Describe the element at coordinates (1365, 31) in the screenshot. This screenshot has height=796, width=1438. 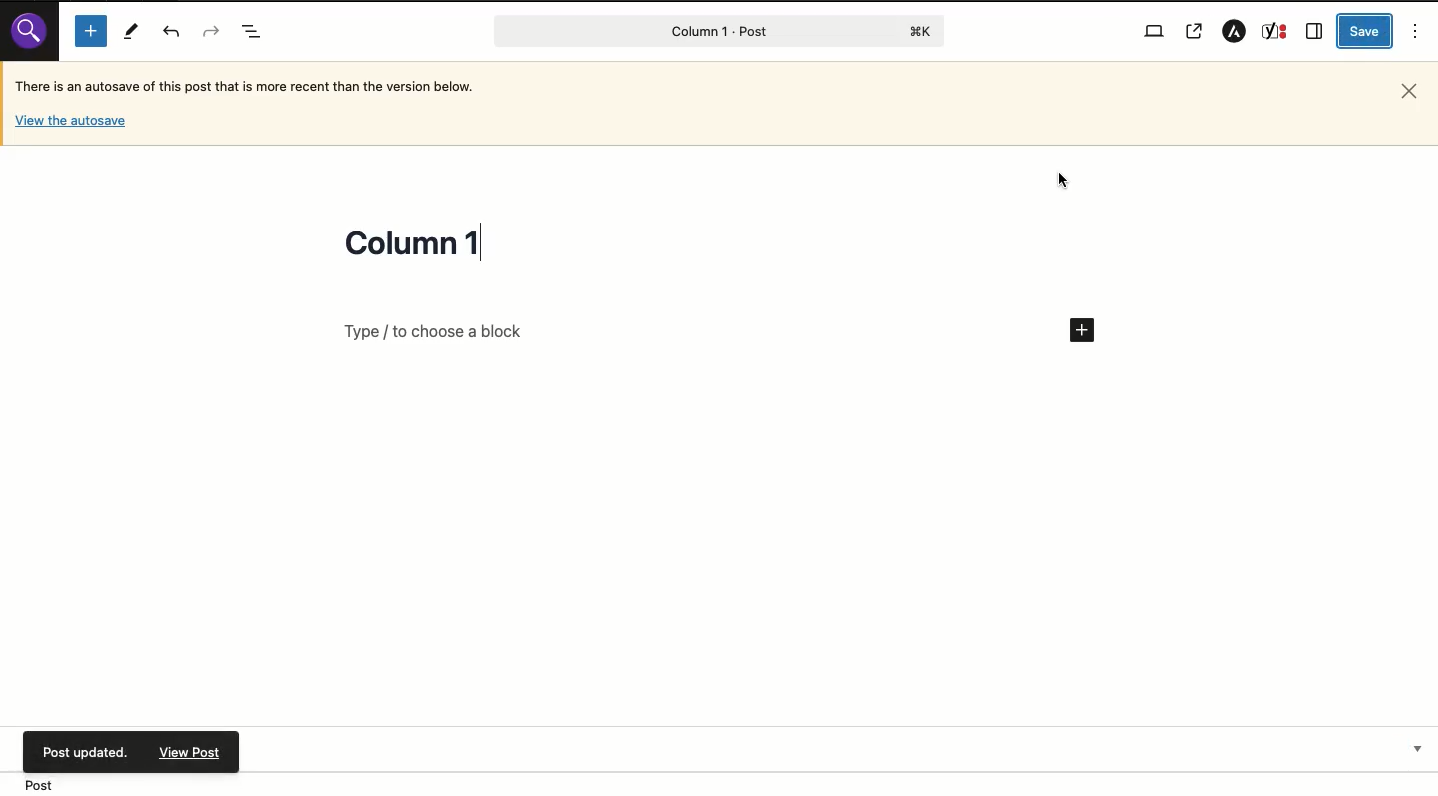
I see `Save` at that location.